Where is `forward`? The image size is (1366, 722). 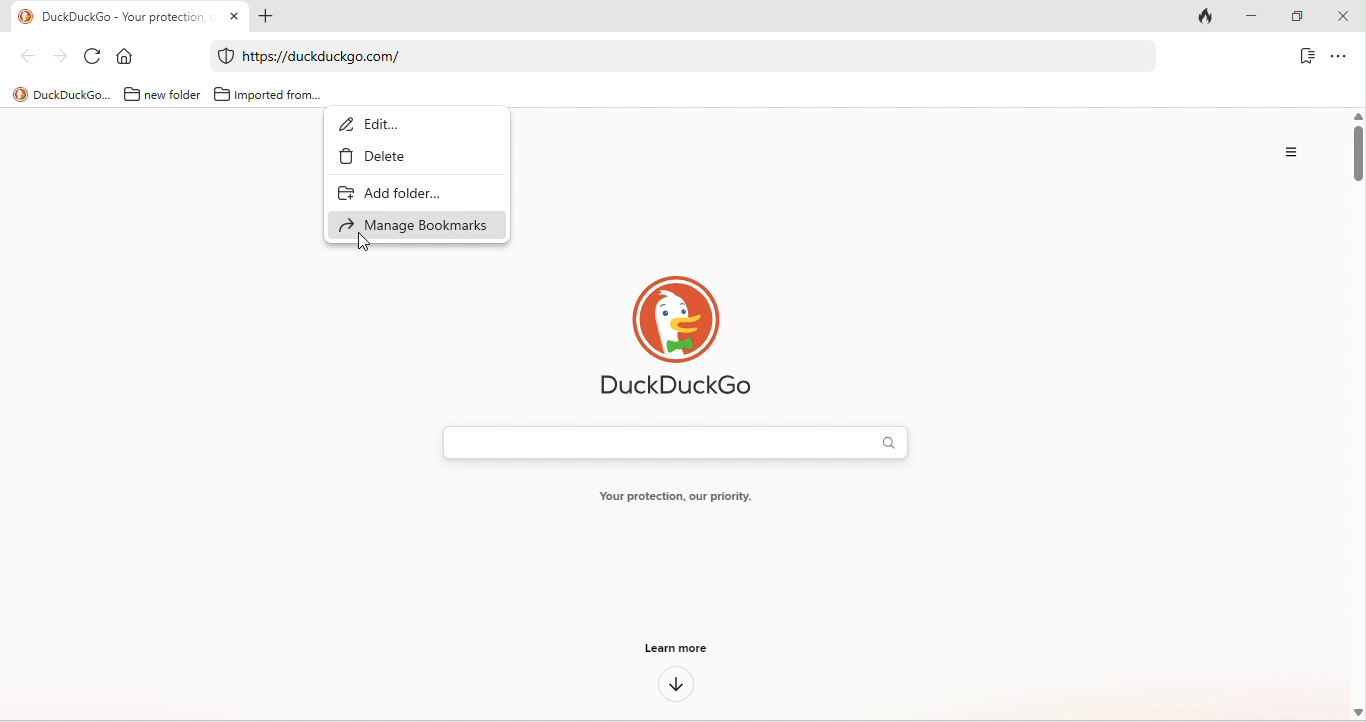
forward is located at coordinates (56, 55).